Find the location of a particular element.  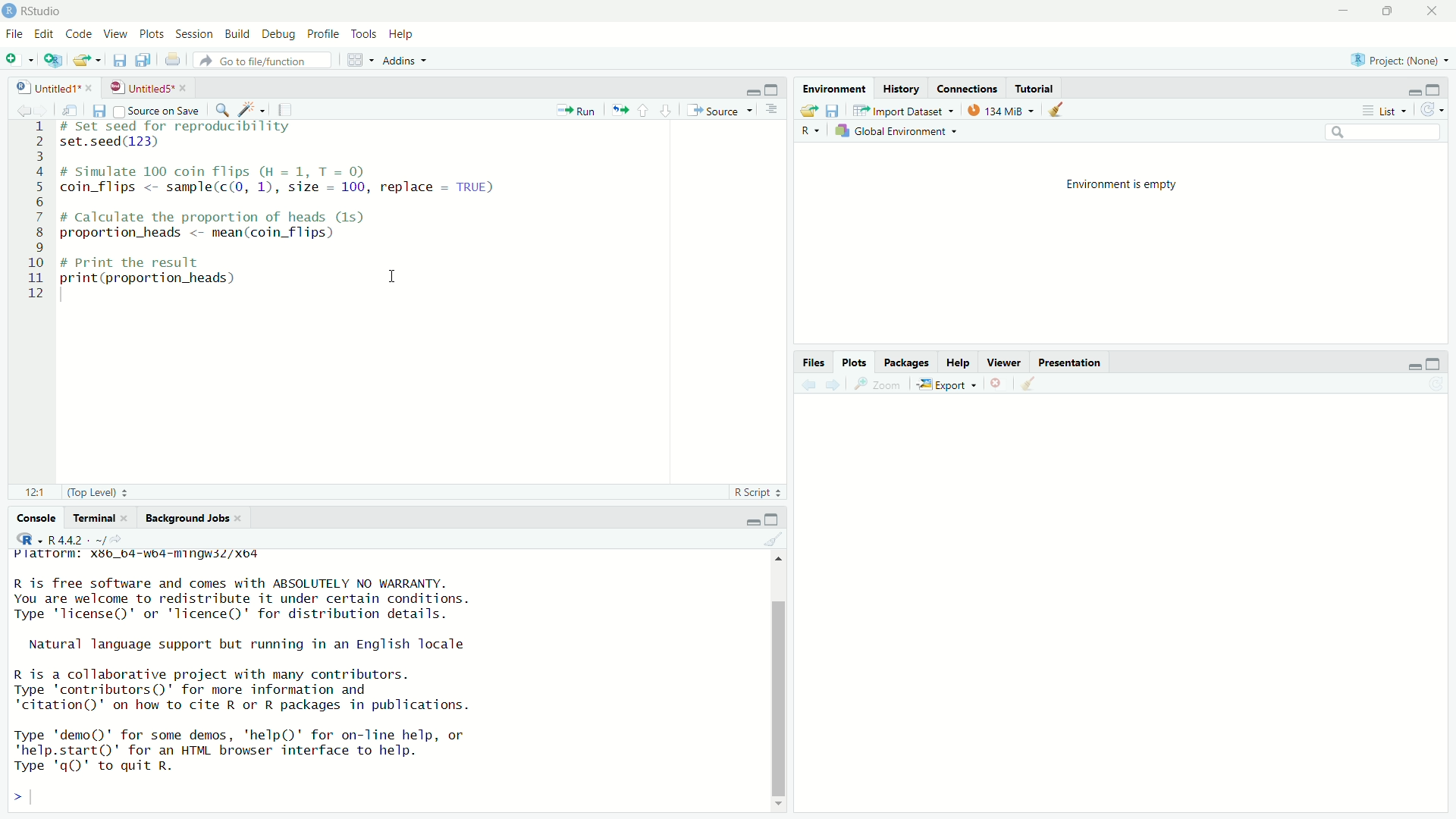

save all open documents is located at coordinates (146, 61).